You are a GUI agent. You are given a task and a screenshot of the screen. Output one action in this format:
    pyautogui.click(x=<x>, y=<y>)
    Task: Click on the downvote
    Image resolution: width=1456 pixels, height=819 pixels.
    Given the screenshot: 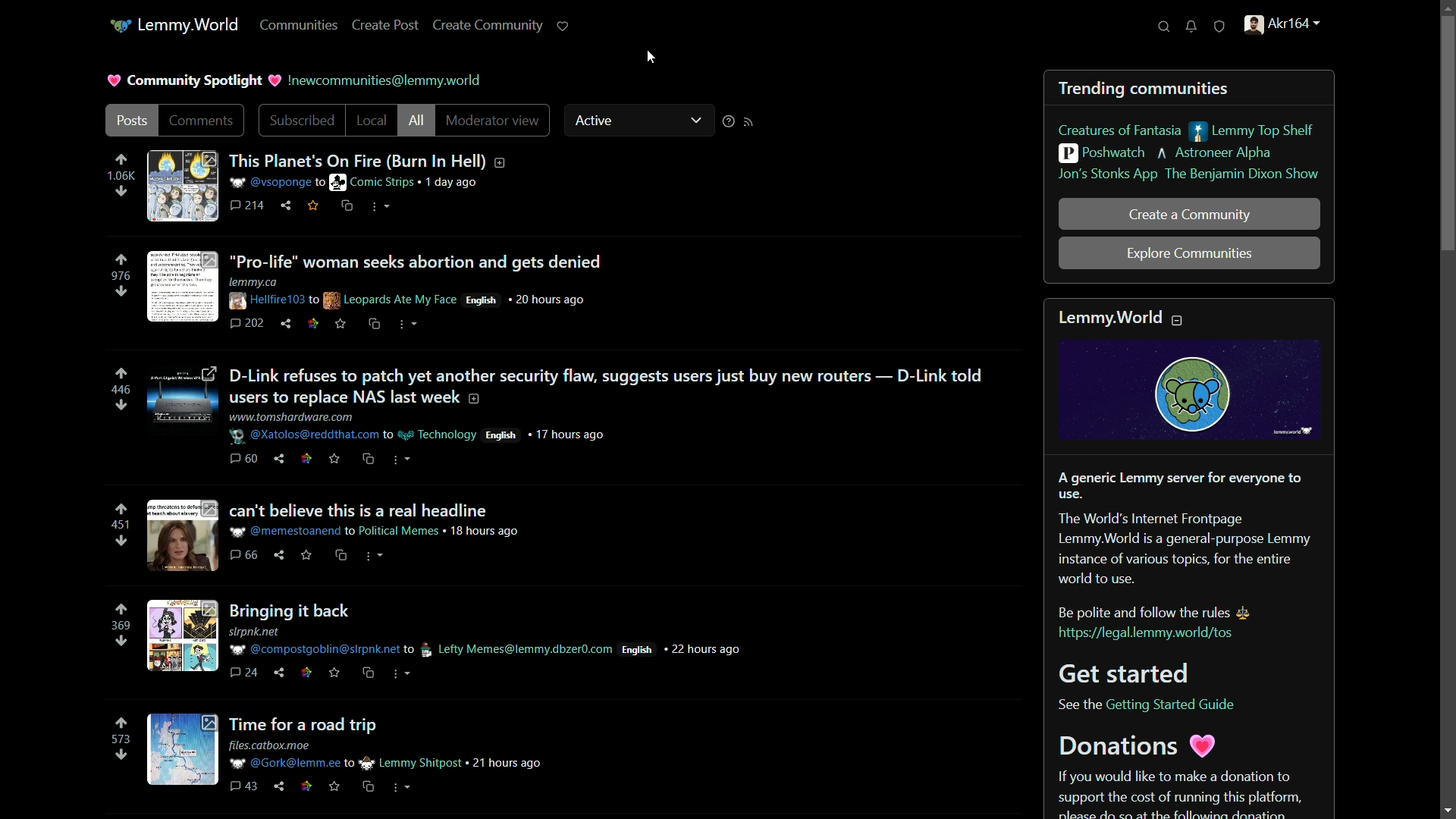 What is the action you would take?
    pyautogui.click(x=120, y=541)
    